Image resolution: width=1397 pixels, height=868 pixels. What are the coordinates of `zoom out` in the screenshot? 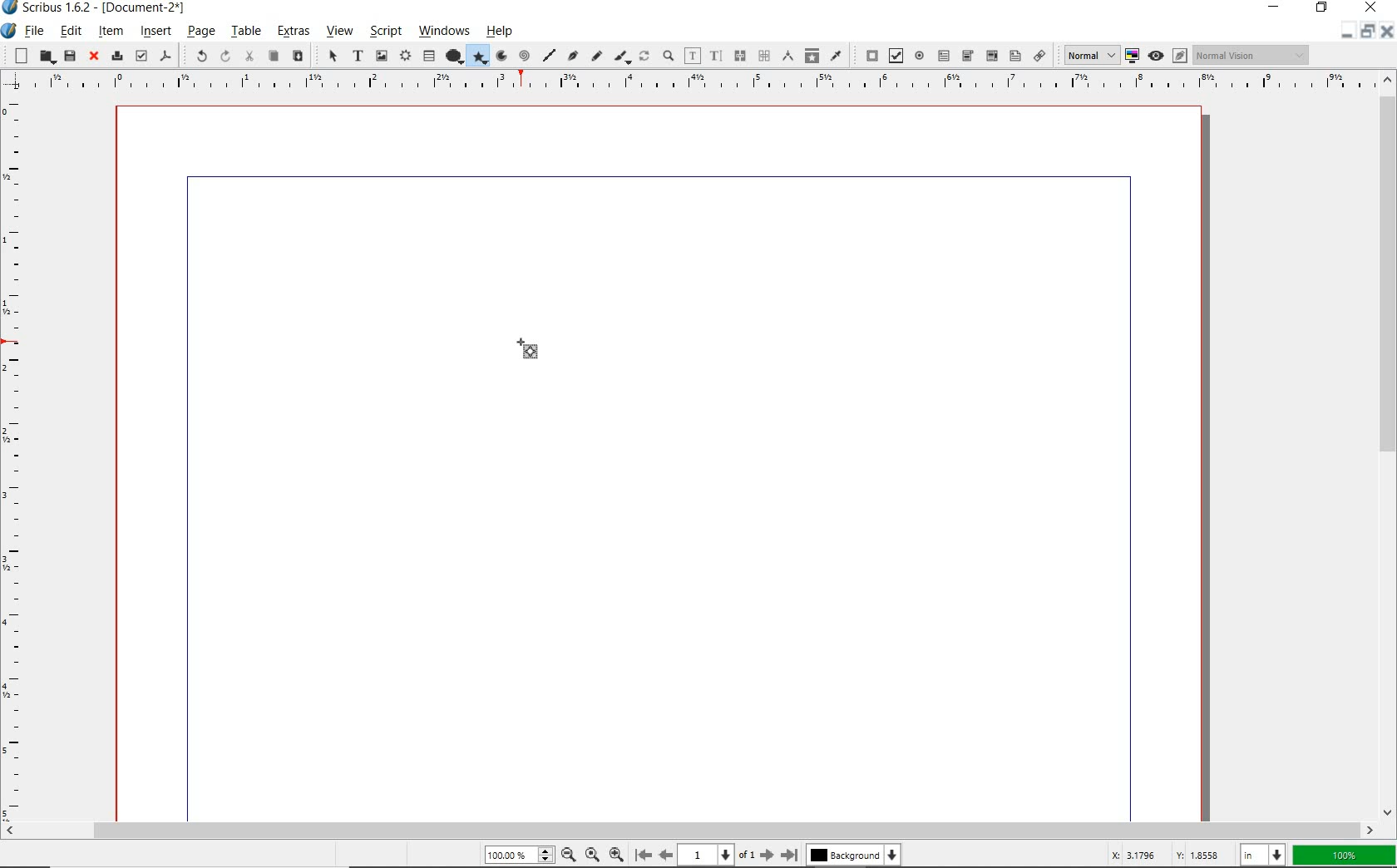 It's located at (569, 855).